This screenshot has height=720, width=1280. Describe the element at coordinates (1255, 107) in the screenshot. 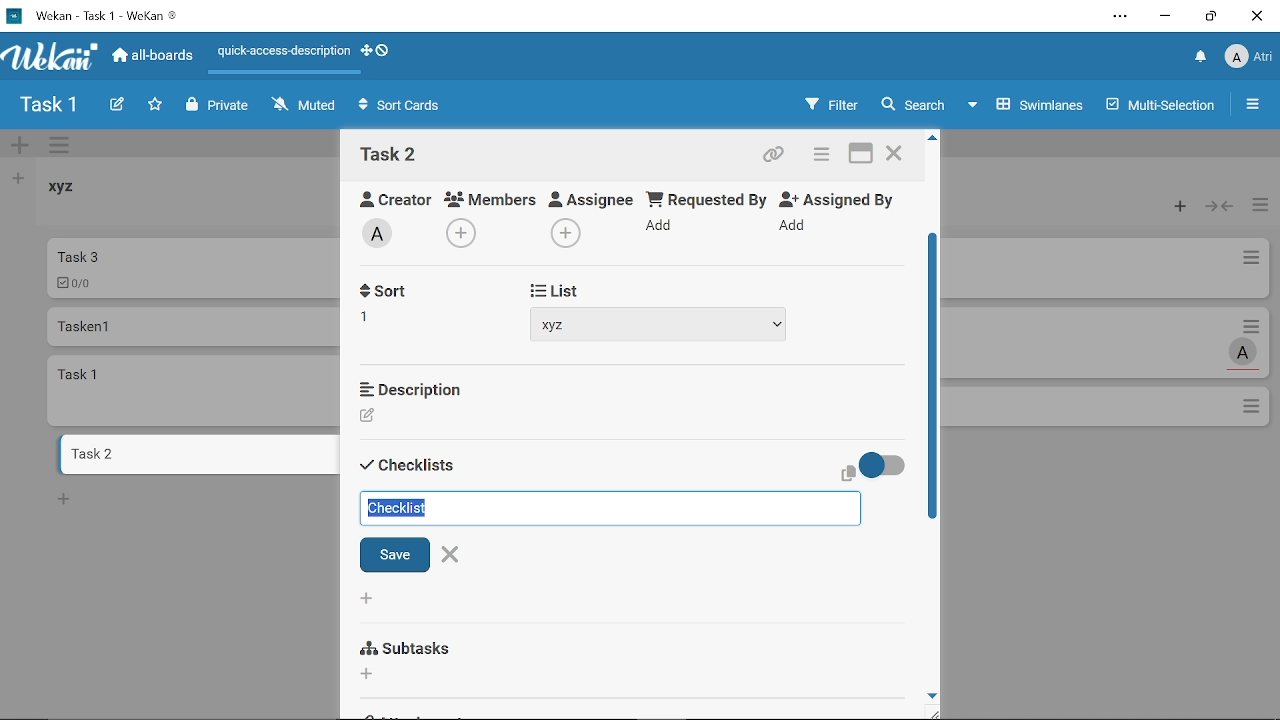

I see `Open/close sidebar` at that location.